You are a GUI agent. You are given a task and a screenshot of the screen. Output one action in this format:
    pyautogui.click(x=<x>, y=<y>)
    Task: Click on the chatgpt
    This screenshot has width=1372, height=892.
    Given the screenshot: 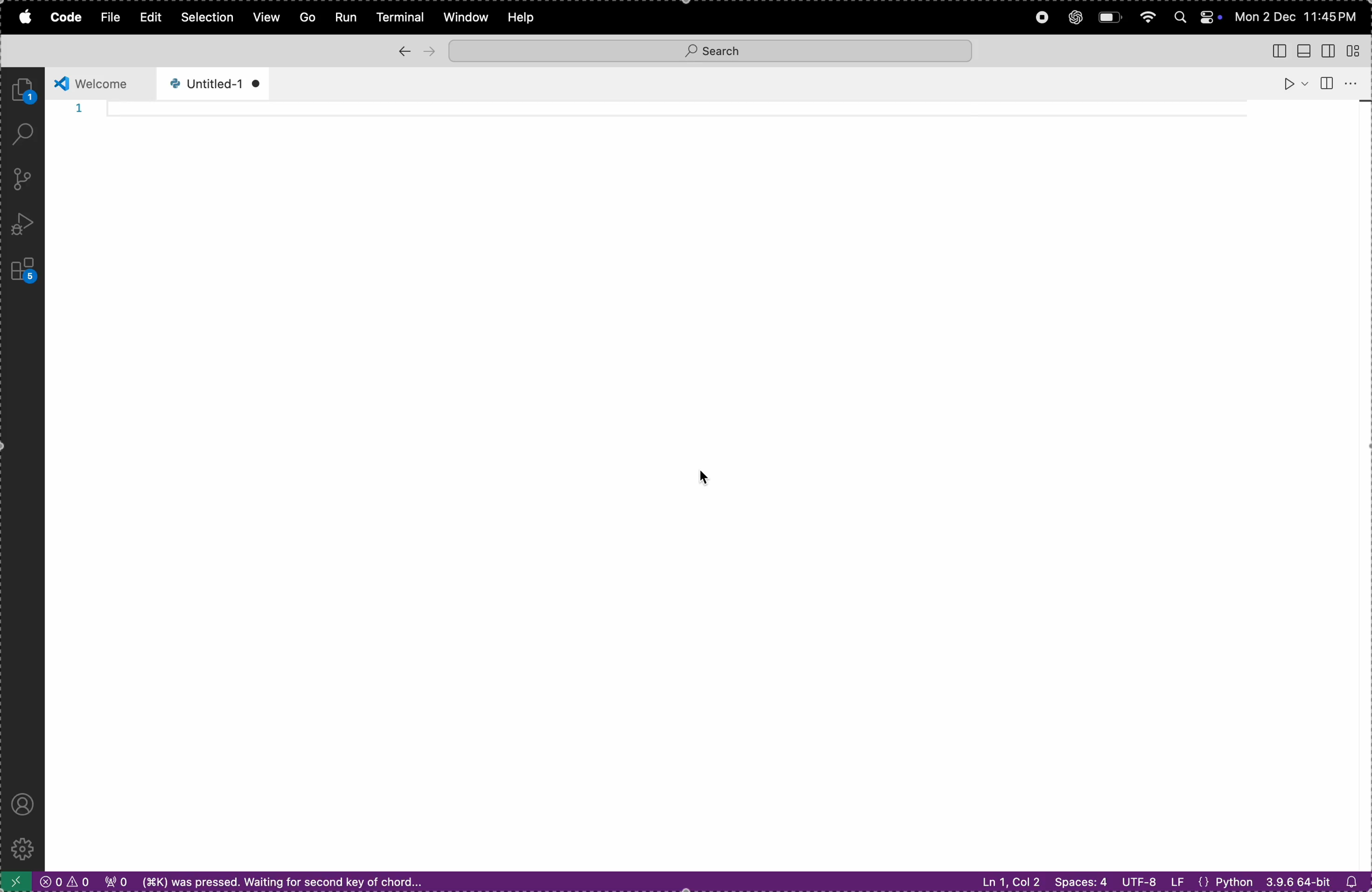 What is the action you would take?
    pyautogui.click(x=1076, y=16)
    